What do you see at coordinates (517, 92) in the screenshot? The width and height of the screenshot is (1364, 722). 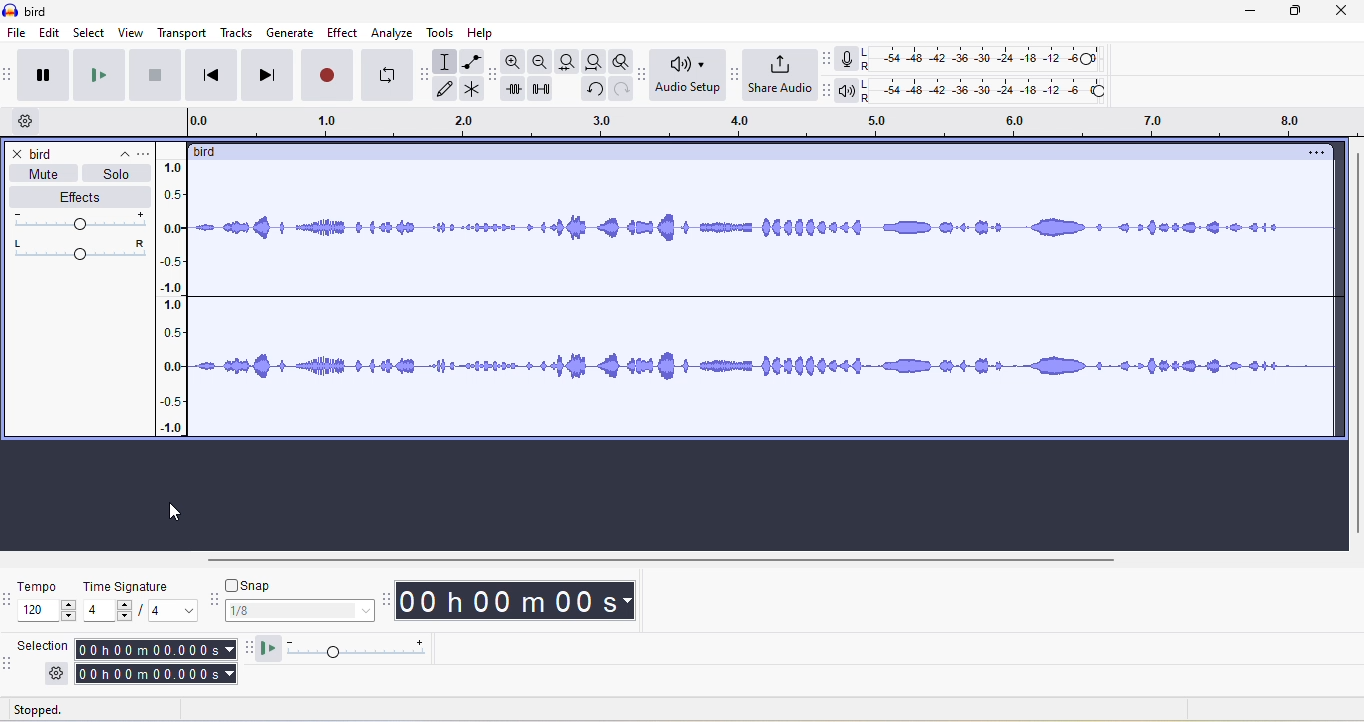 I see `trim audio outside selection` at bounding box center [517, 92].